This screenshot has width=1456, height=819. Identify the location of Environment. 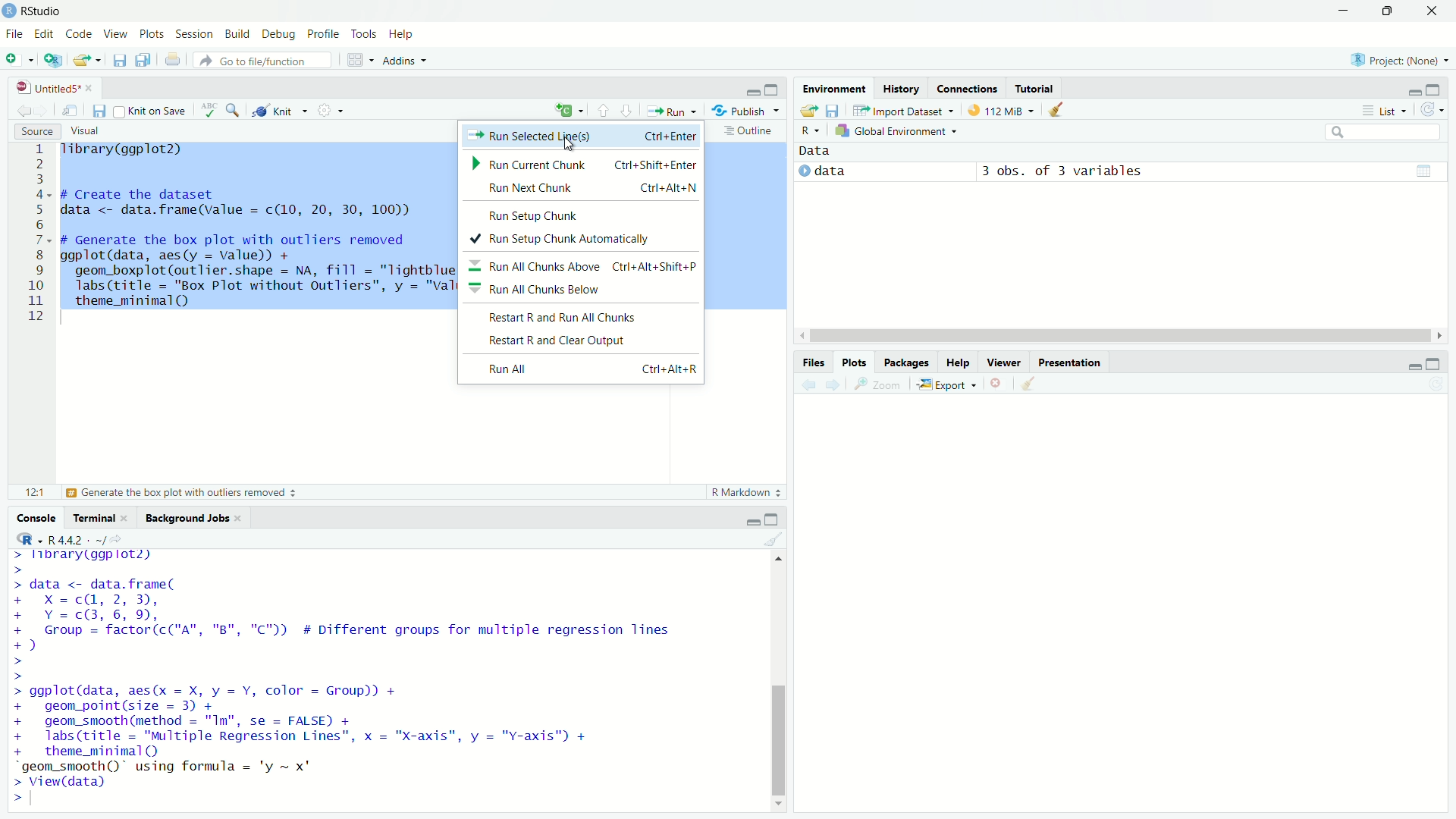
(832, 88).